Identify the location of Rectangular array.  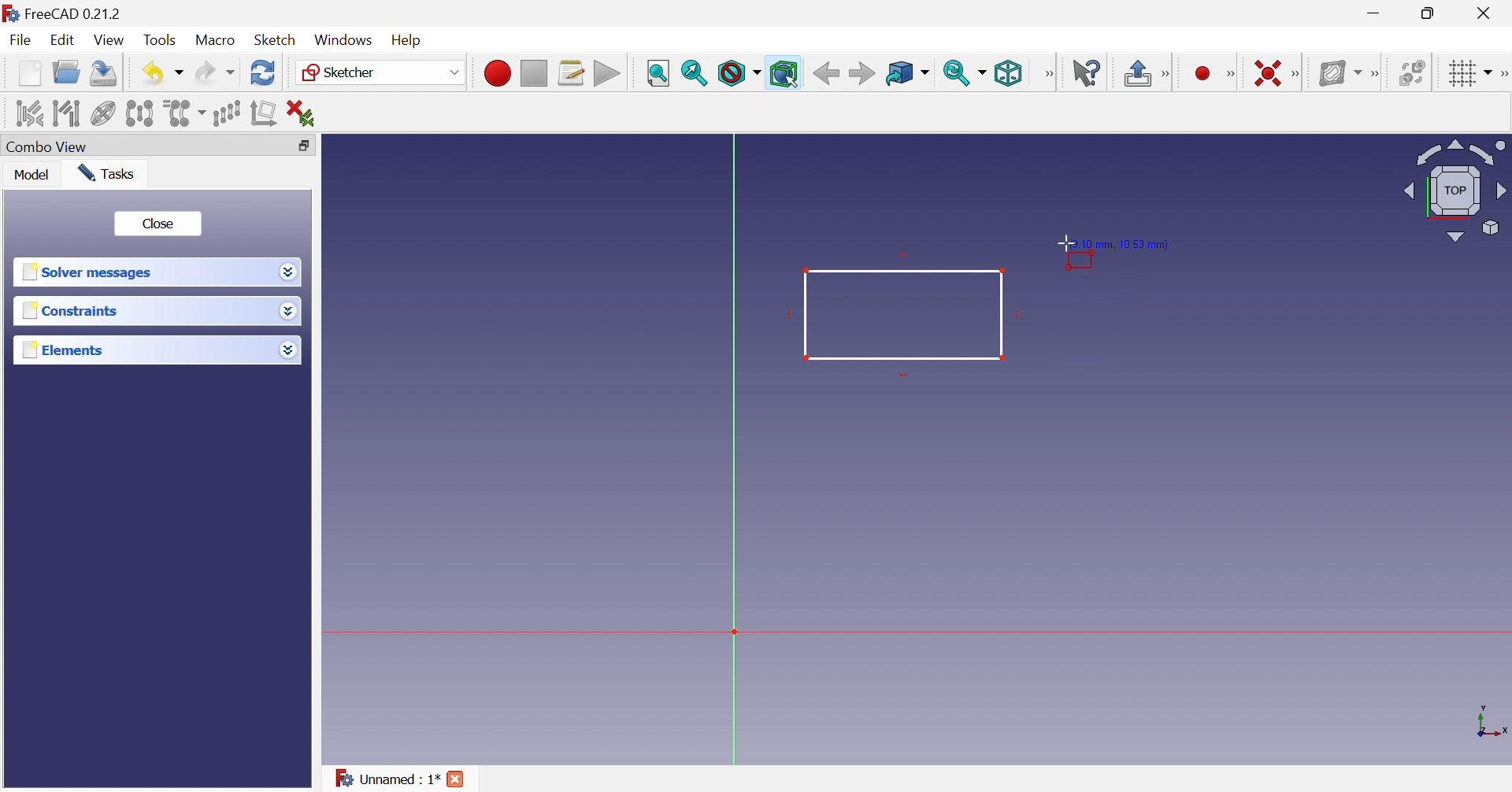
(228, 114).